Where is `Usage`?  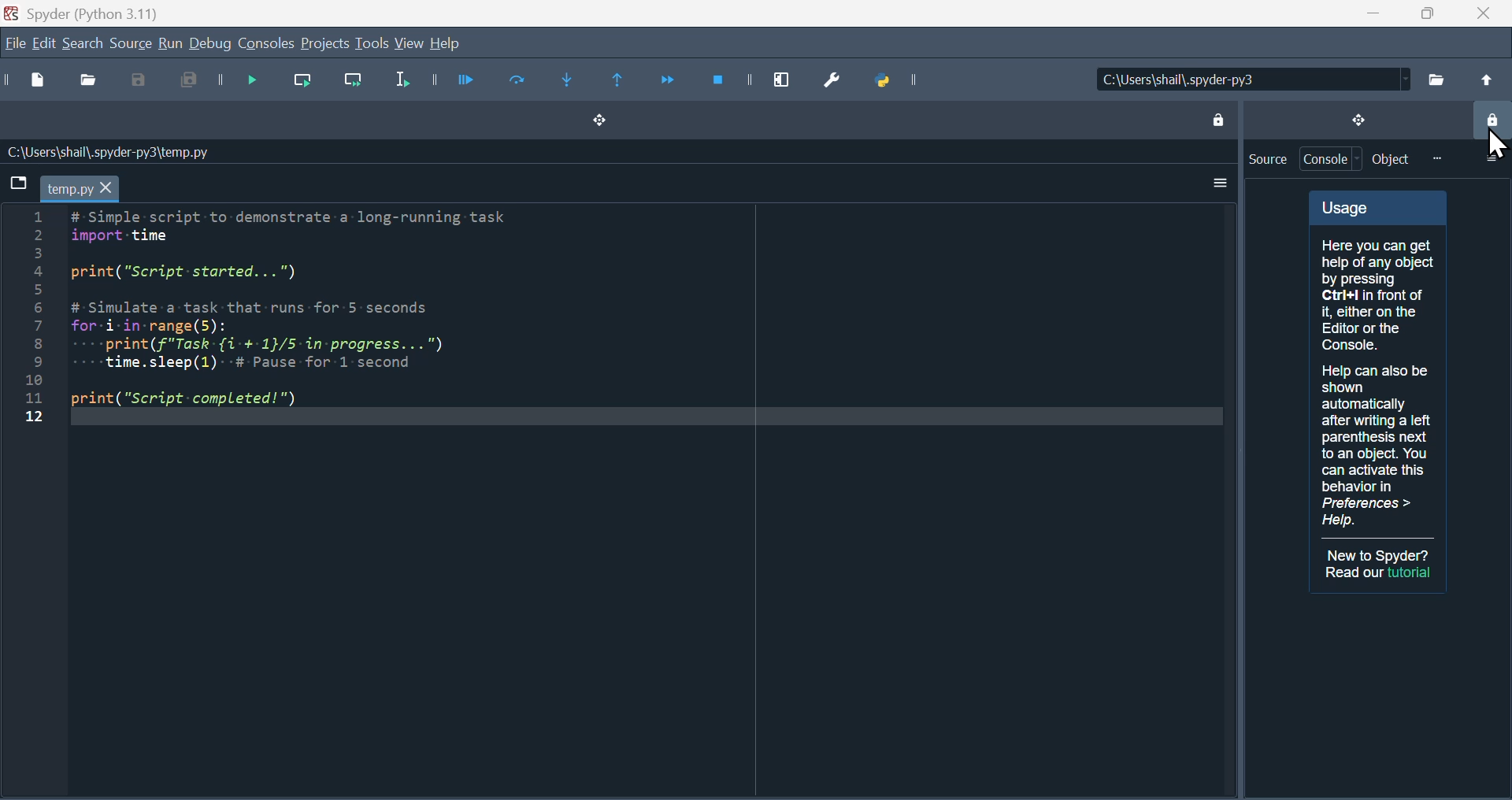
Usage is located at coordinates (1378, 364).